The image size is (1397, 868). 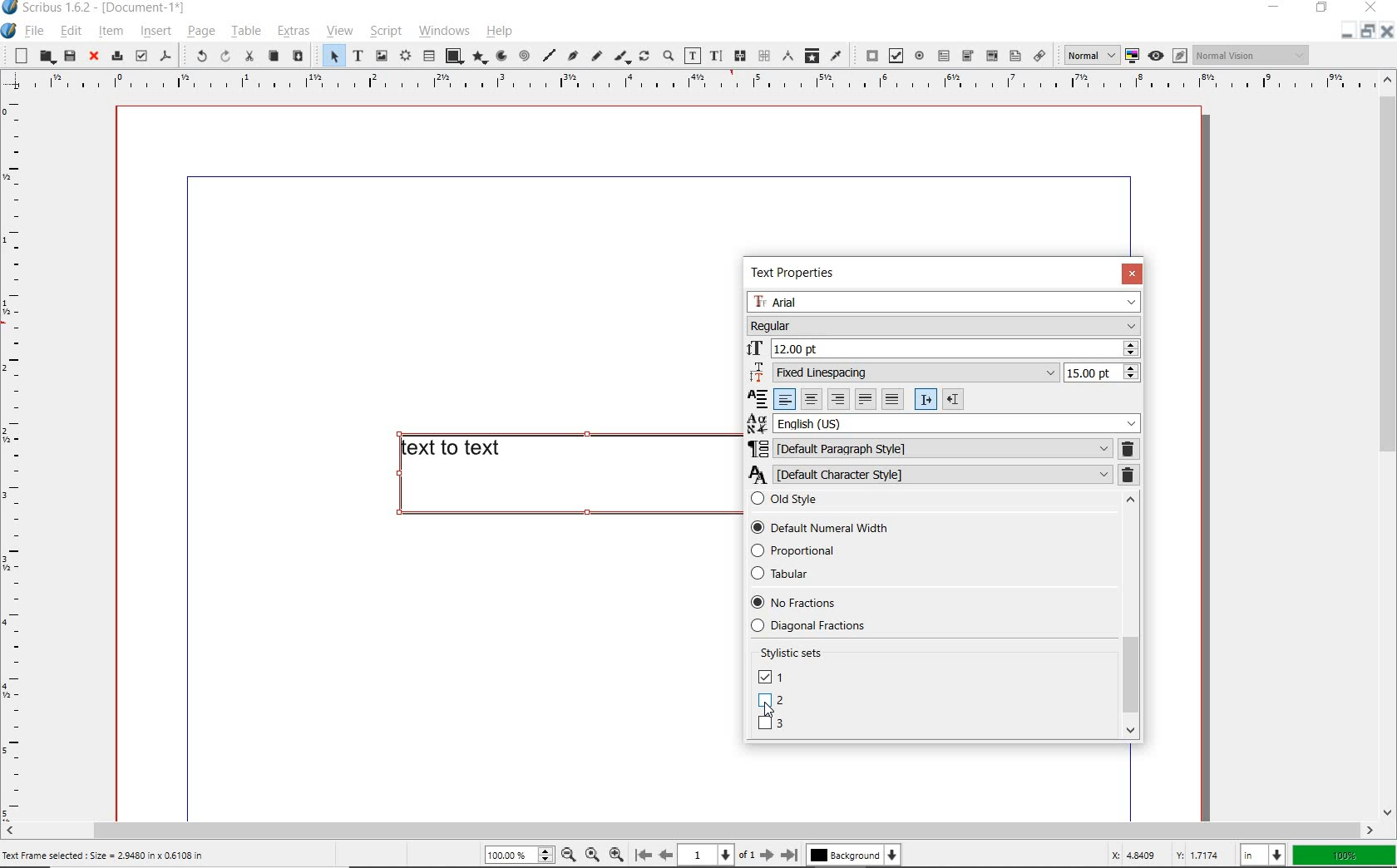 I want to click on polygon, so click(x=477, y=58).